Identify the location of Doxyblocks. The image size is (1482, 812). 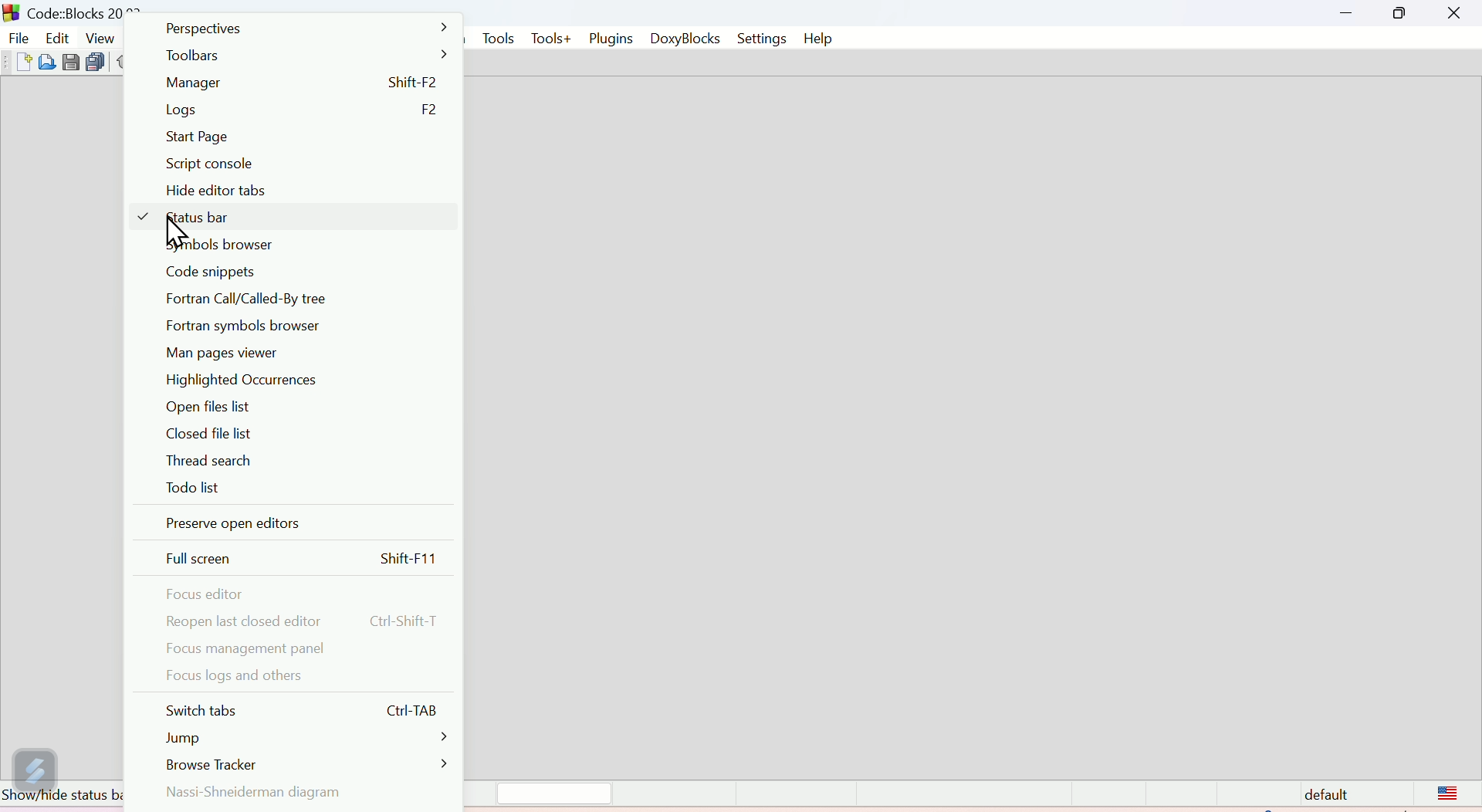
(685, 40).